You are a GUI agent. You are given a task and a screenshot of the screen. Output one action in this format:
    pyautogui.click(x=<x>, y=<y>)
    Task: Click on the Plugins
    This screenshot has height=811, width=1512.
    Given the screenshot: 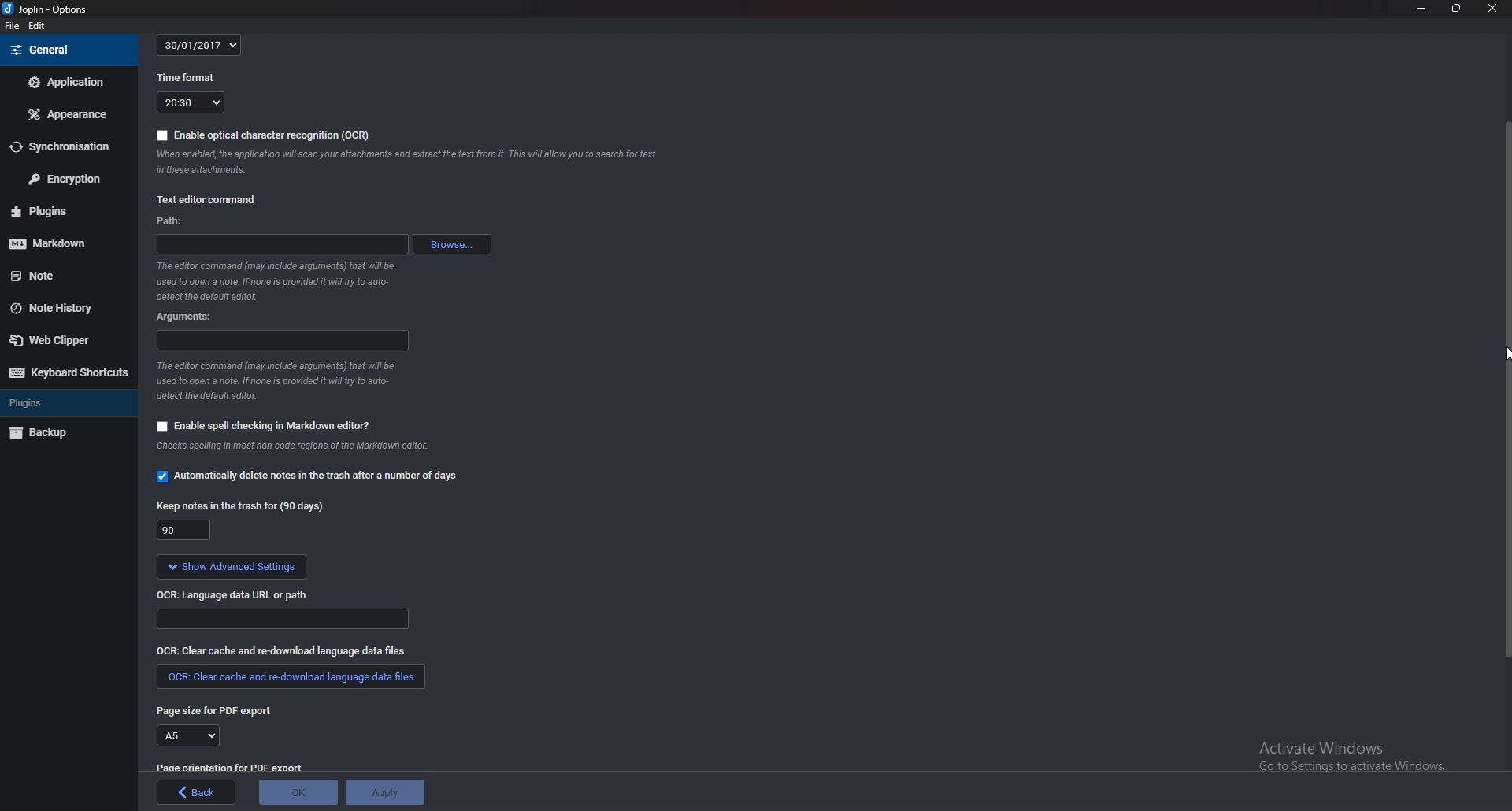 What is the action you would take?
    pyautogui.click(x=55, y=212)
    